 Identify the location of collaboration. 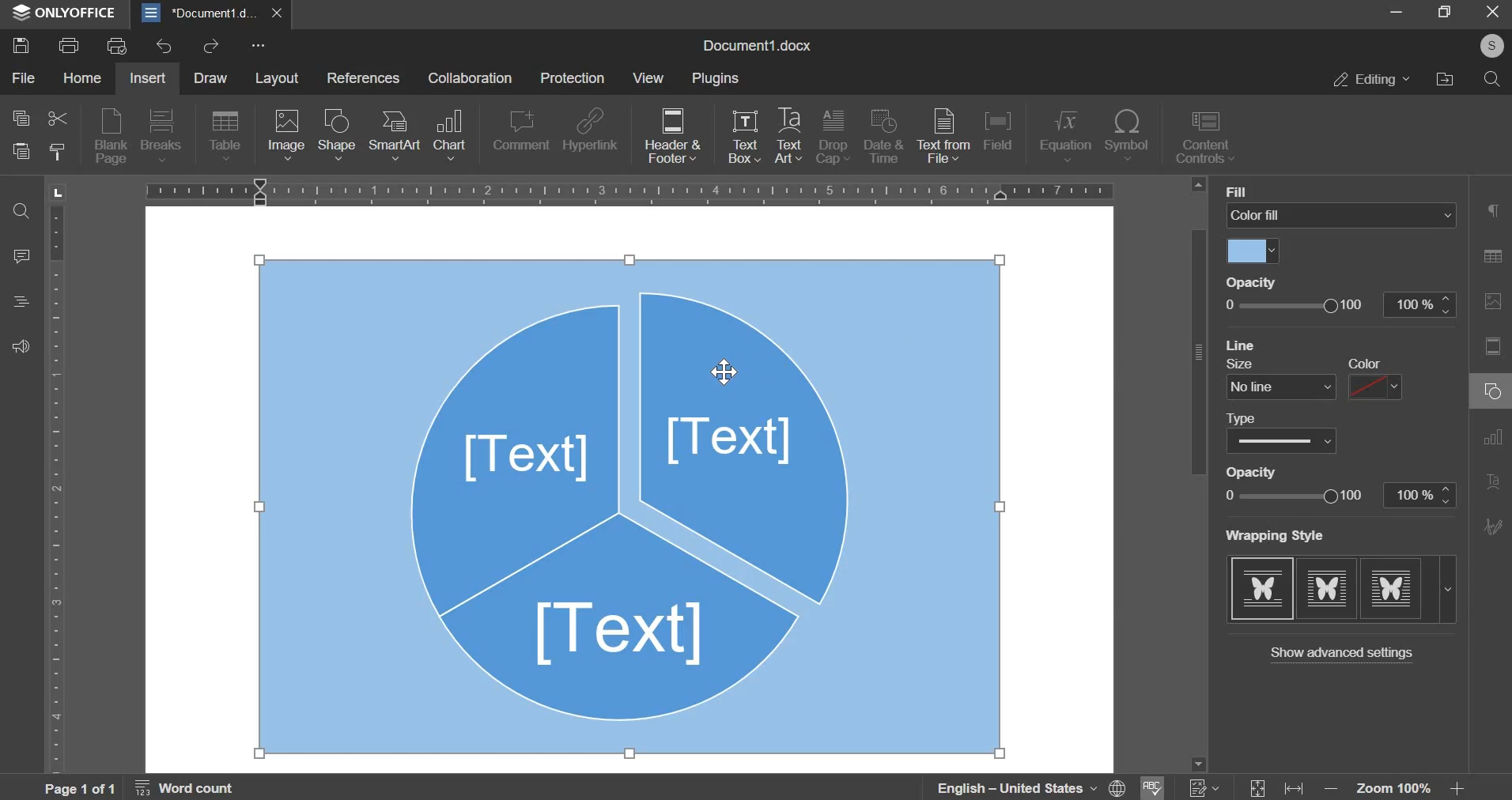
(471, 80).